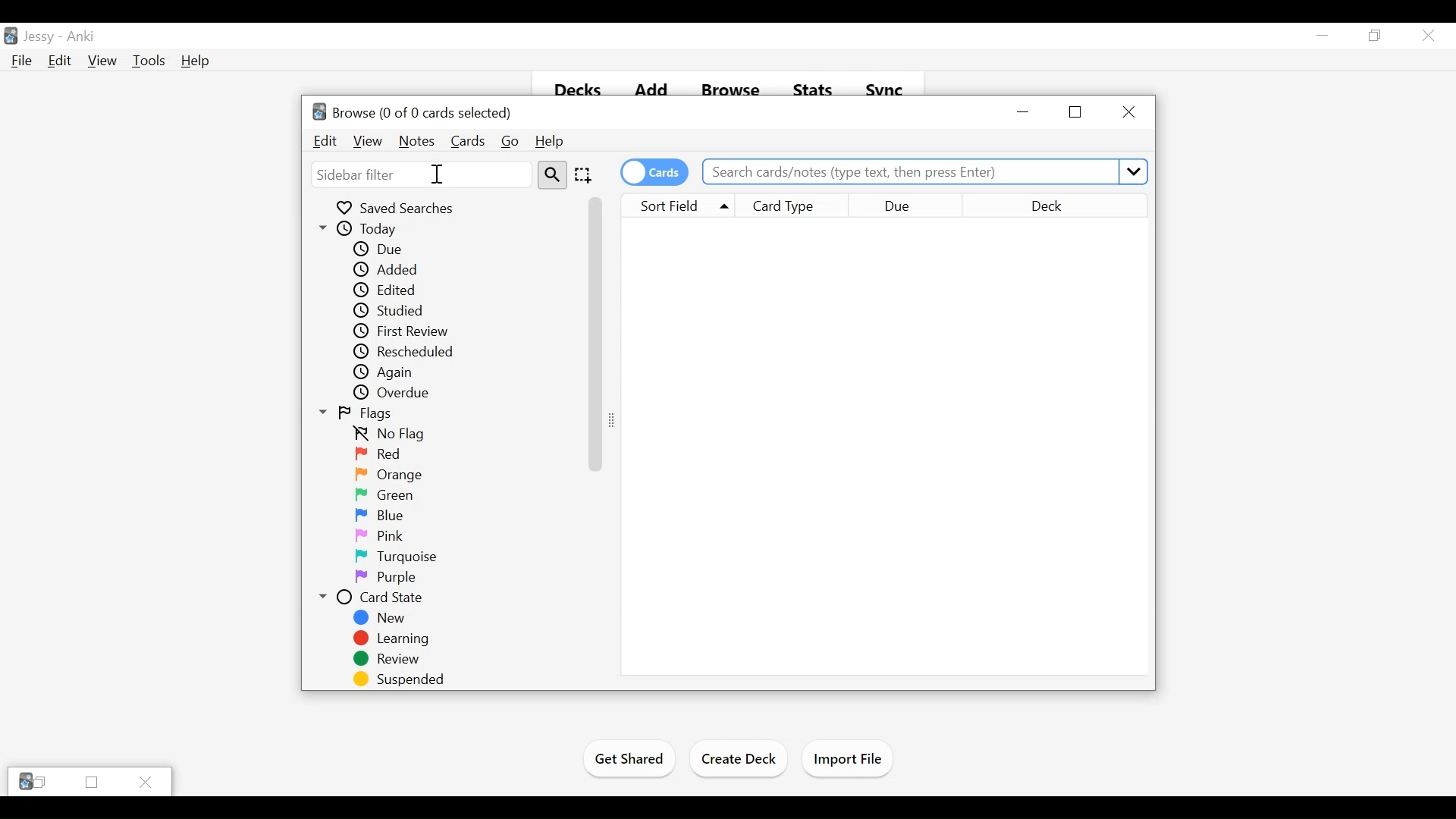 This screenshot has width=1456, height=819. Describe the element at coordinates (146, 781) in the screenshot. I see `Close` at that location.